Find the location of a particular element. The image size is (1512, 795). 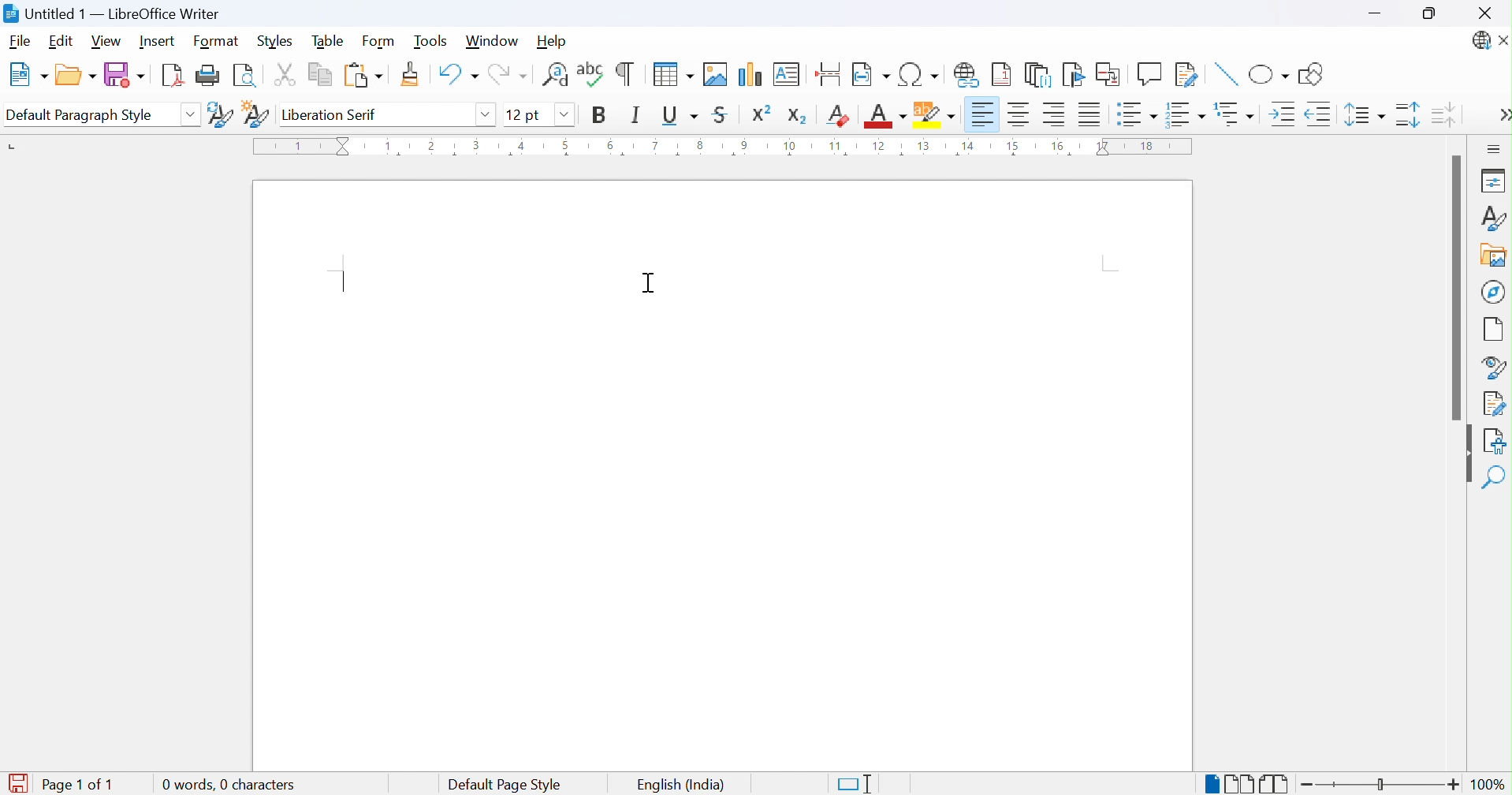

Italic is located at coordinates (638, 116).